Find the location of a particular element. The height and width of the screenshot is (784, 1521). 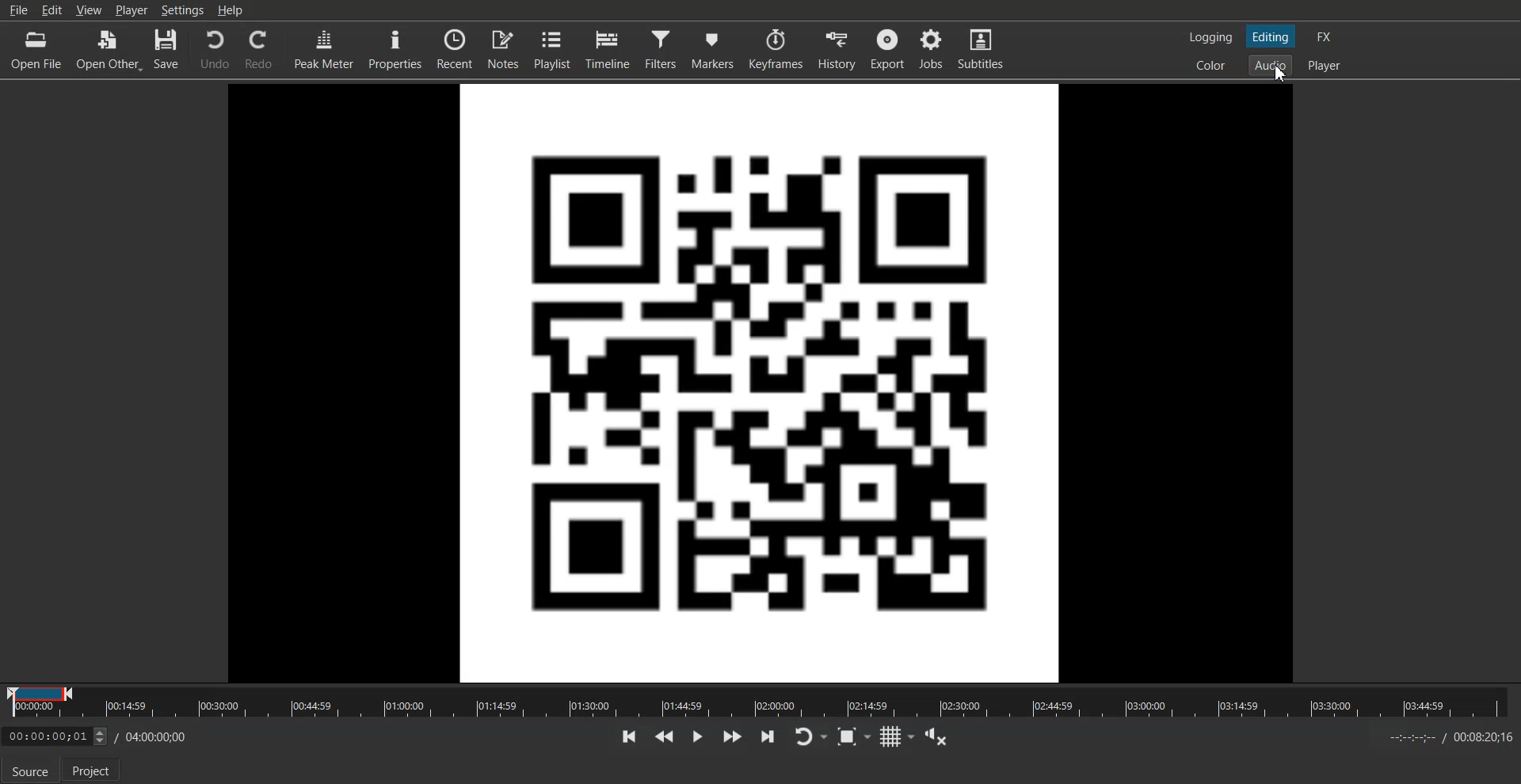

Undo is located at coordinates (216, 50).